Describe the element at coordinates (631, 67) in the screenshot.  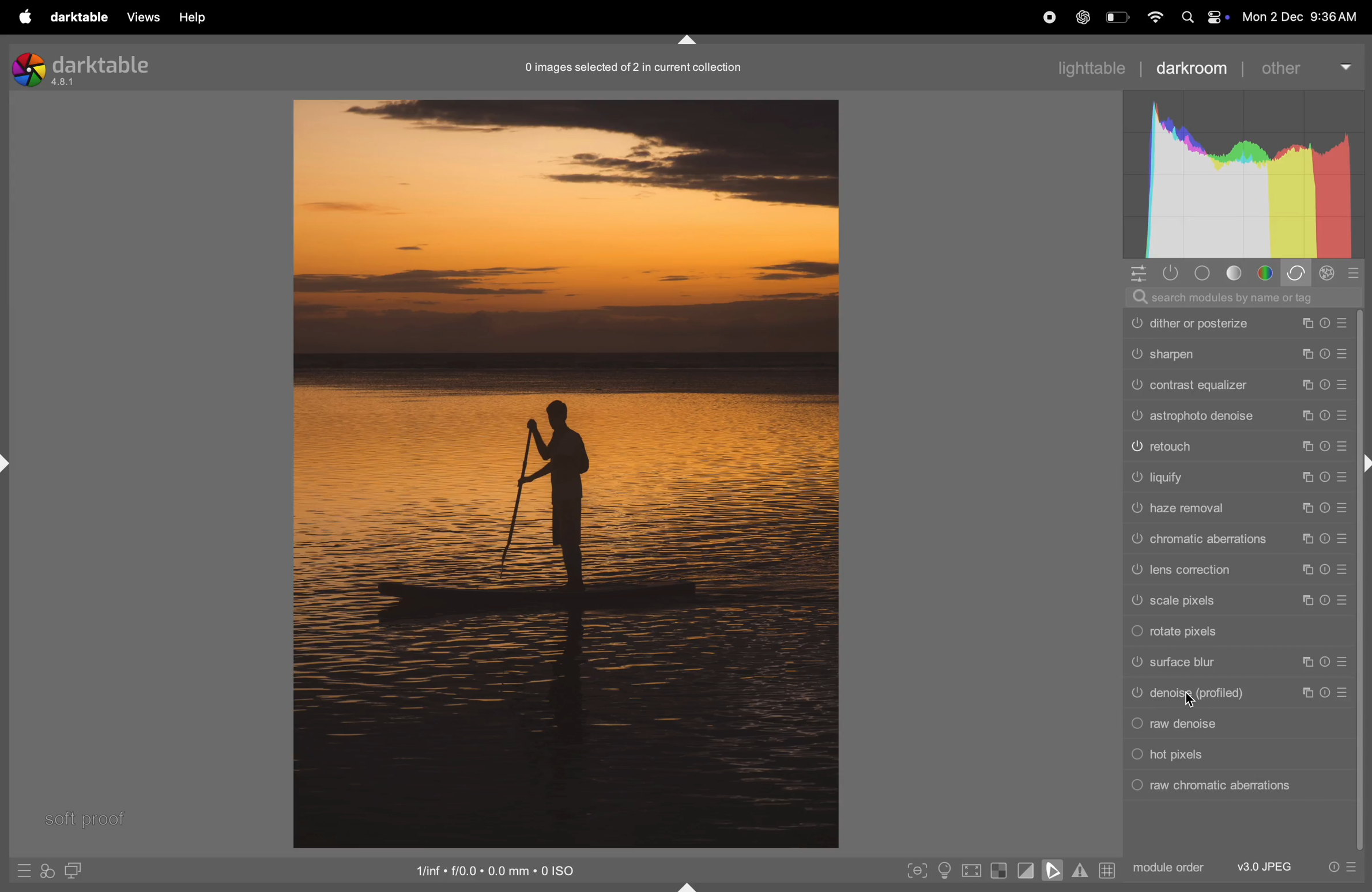
I see `image collection` at that location.